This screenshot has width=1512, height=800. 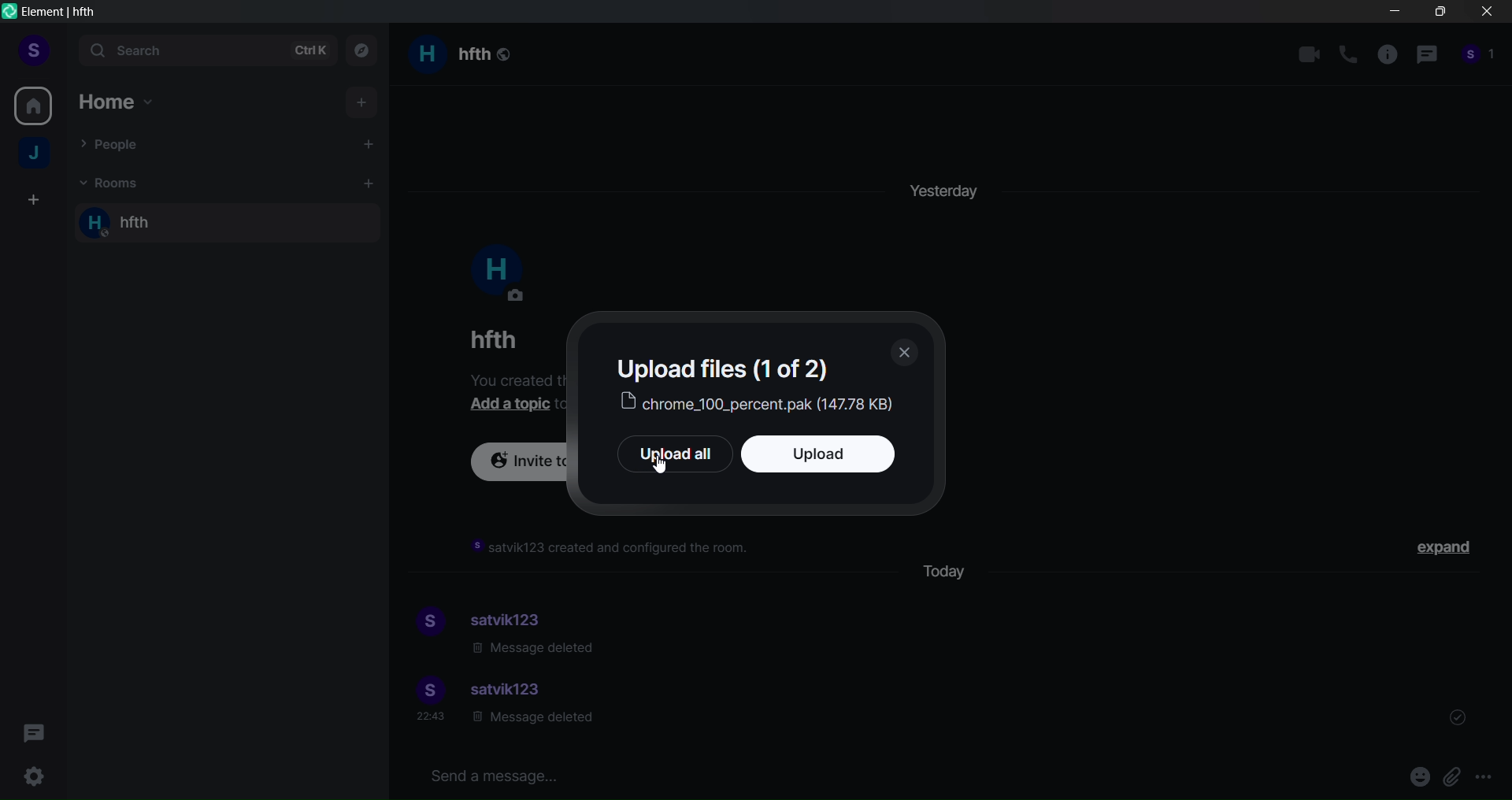 What do you see at coordinates (535, 650) in the screenshot?
I see `message deleted` at bounding box center [535, 650].